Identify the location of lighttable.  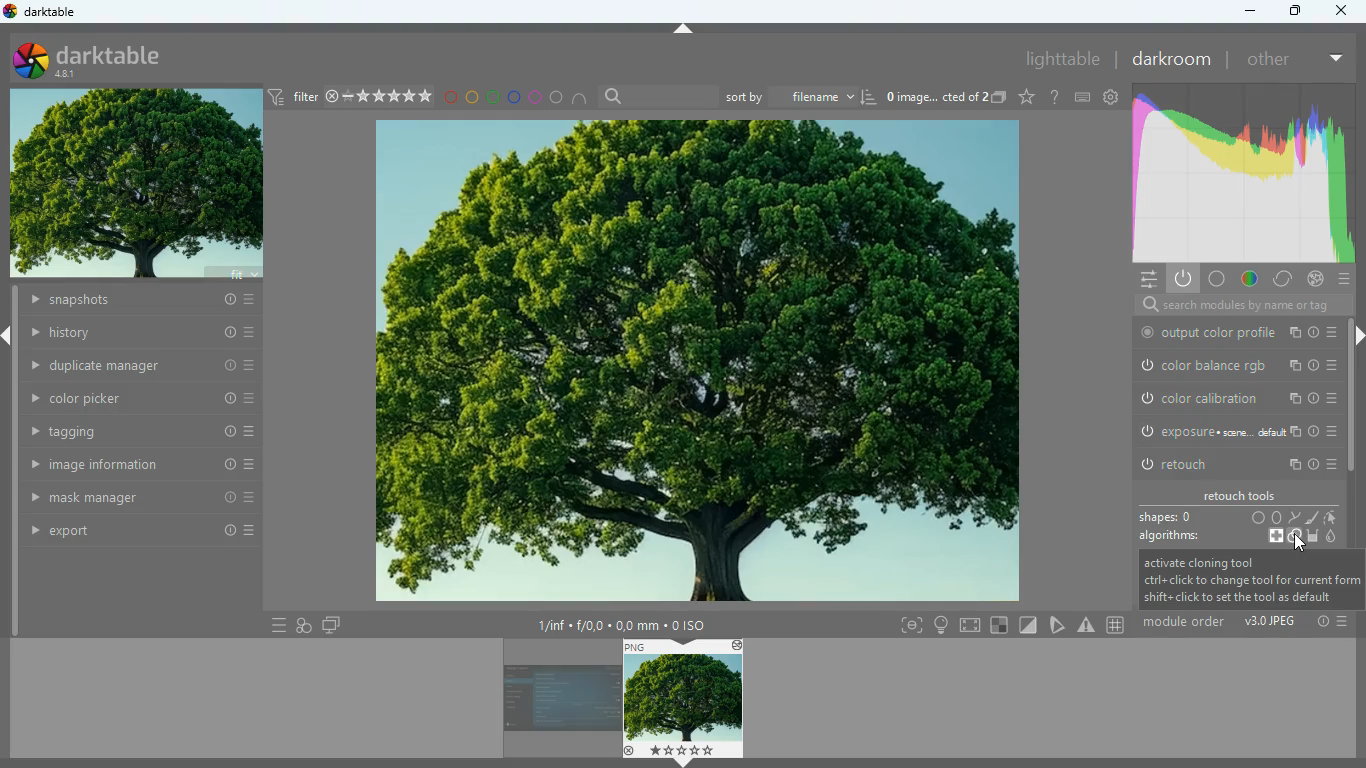
(1044, 60).